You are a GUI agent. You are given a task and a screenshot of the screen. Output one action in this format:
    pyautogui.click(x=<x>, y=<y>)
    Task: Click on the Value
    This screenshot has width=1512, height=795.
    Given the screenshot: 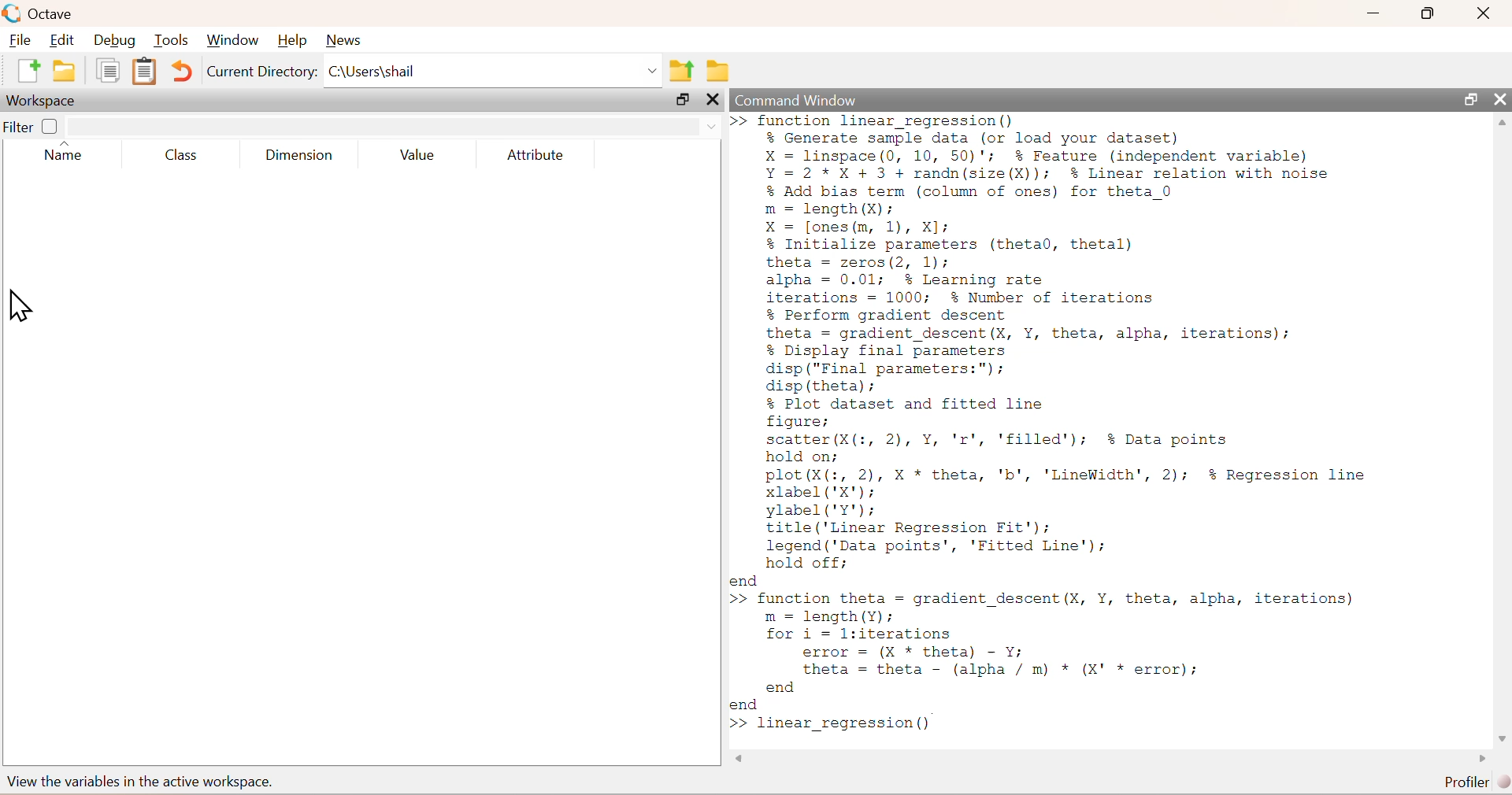 What is the action you would take?
    pyautogui.click(x=418, y=155)
    